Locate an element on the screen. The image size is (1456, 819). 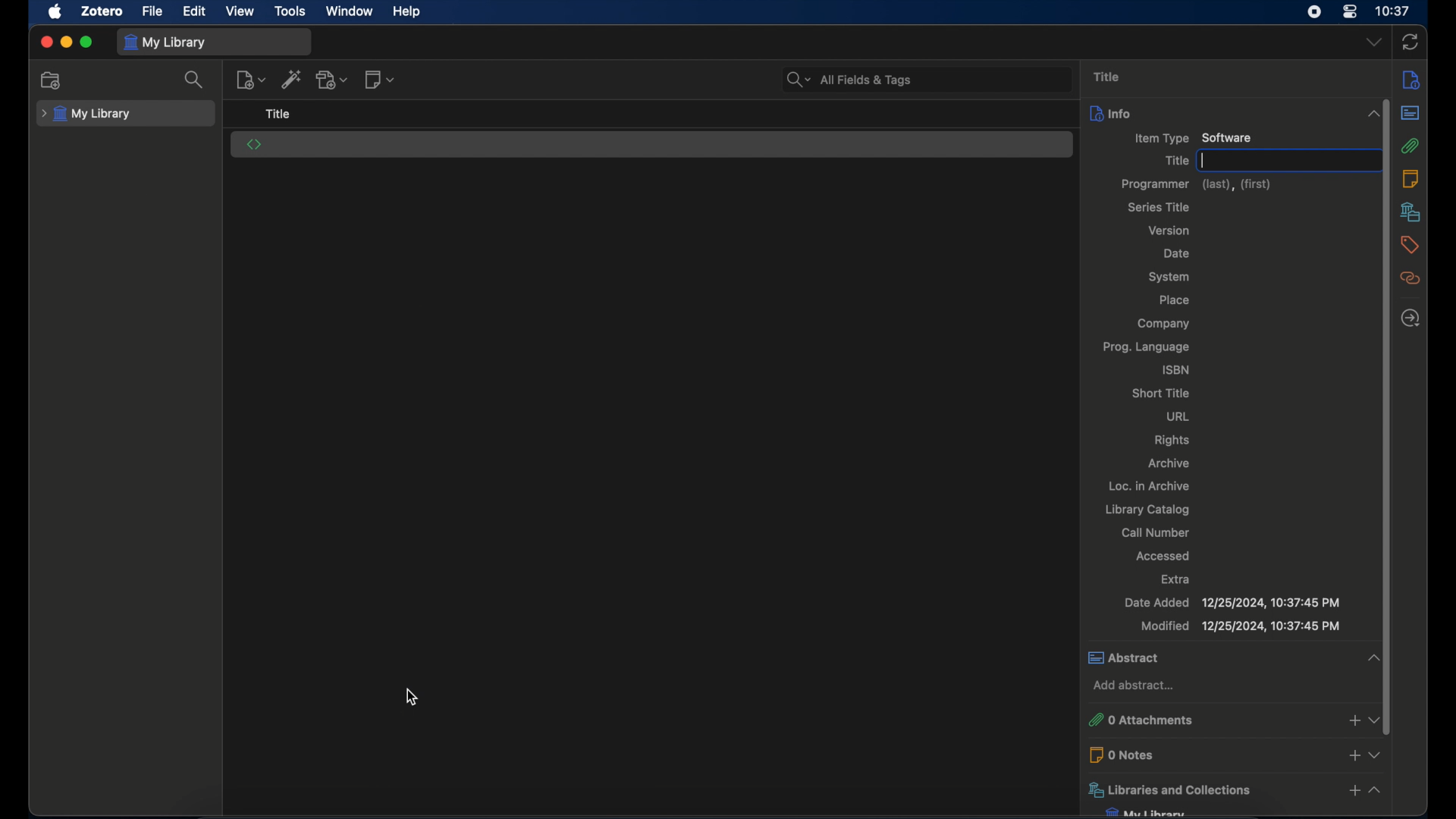
info is located at coordinates (1411, 79).